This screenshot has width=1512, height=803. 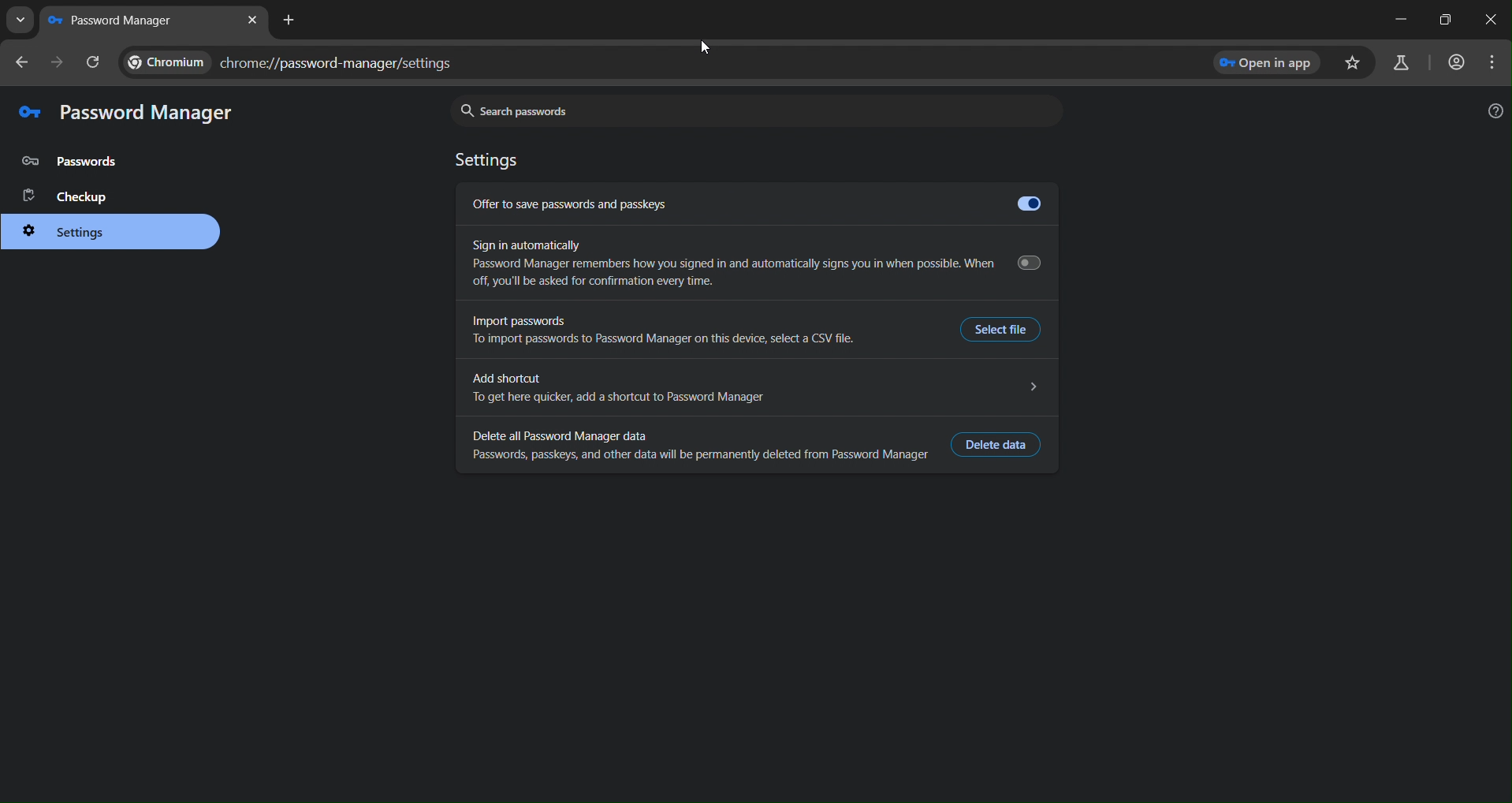 I want to click on cursor, so click(x=705, y=47).